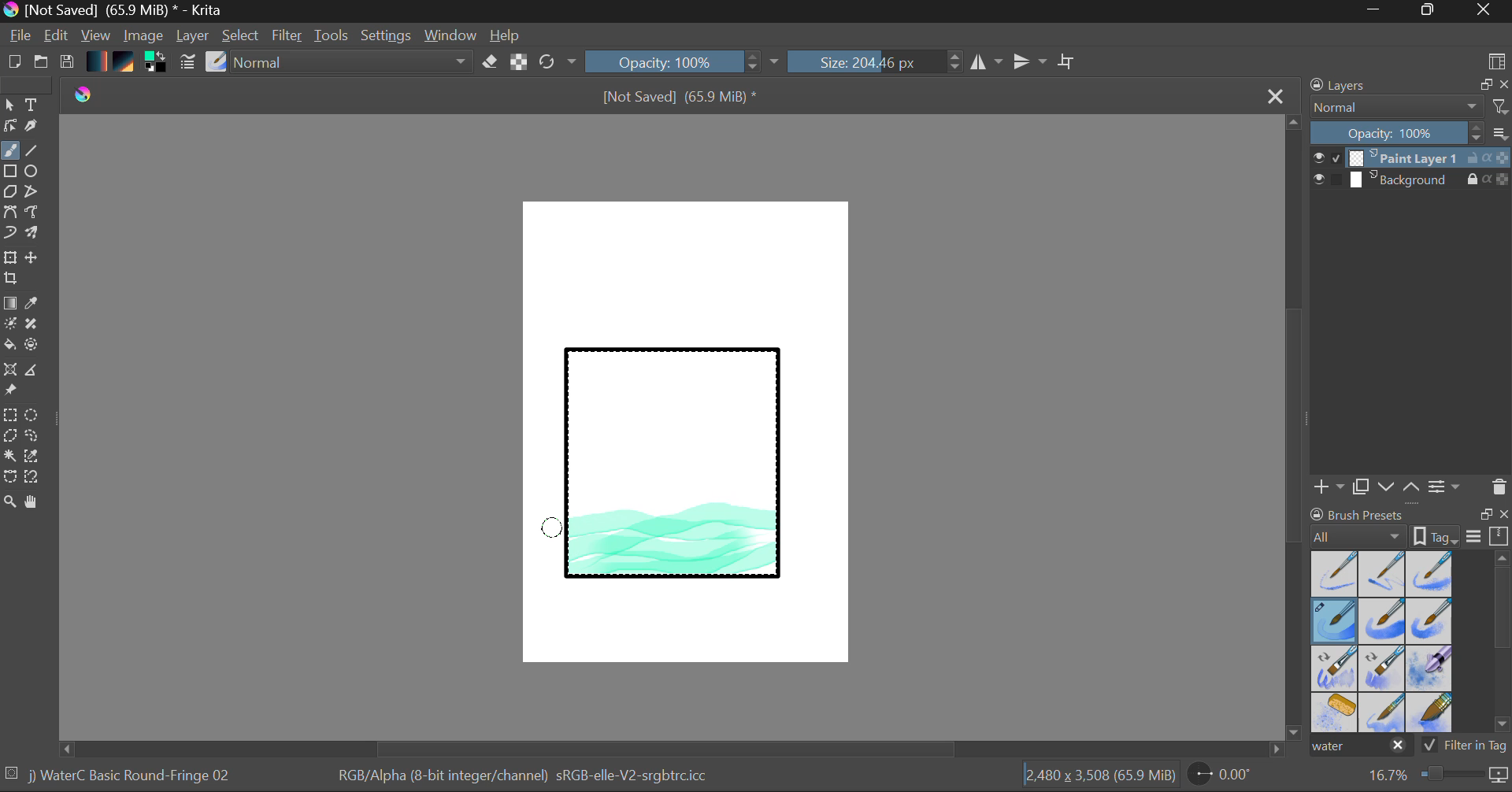  Describe the element at coordinates (95, 60) in the screenshot. I see `Gradient` at that location.